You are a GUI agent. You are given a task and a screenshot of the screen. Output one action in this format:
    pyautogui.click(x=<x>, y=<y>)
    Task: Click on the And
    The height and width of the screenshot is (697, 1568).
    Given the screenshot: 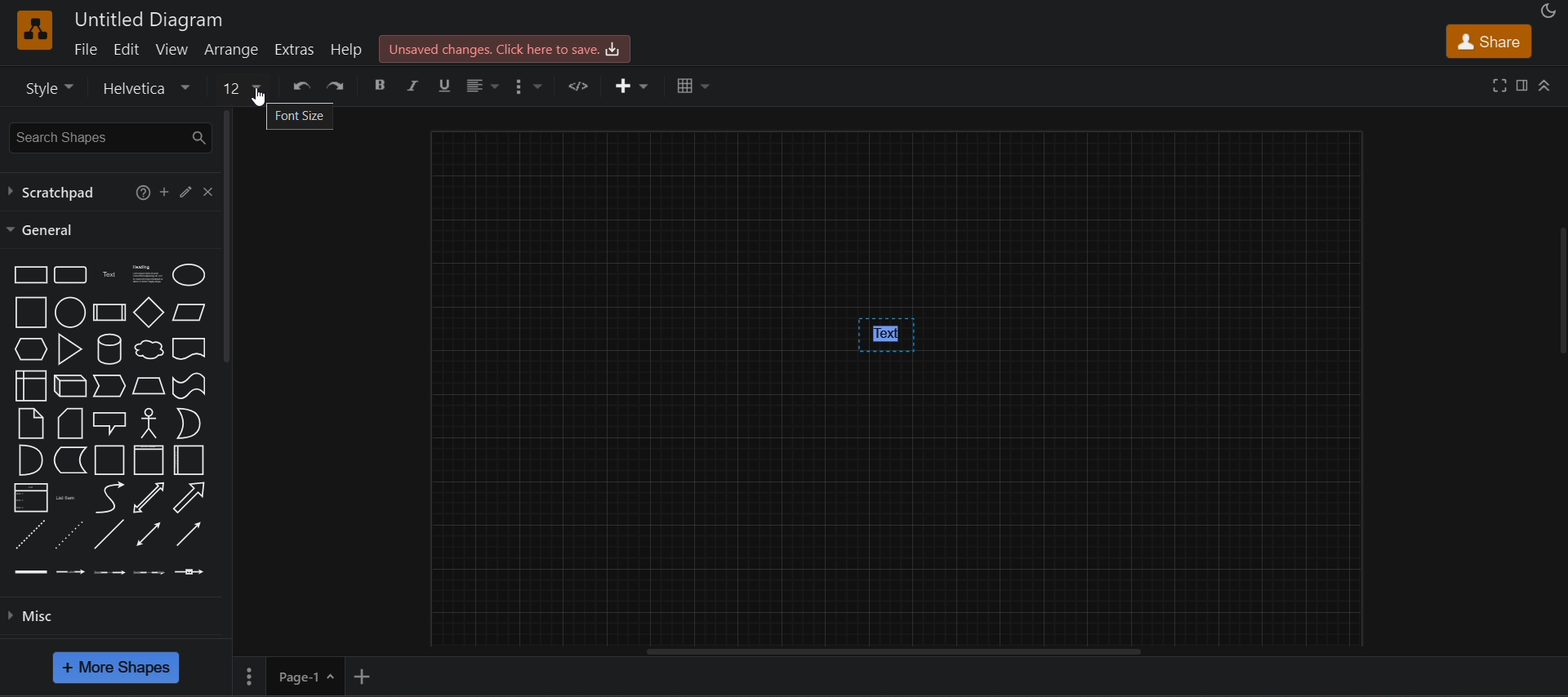 What is the action you would take?
    pyautogui.click(x=32, y=460)
    